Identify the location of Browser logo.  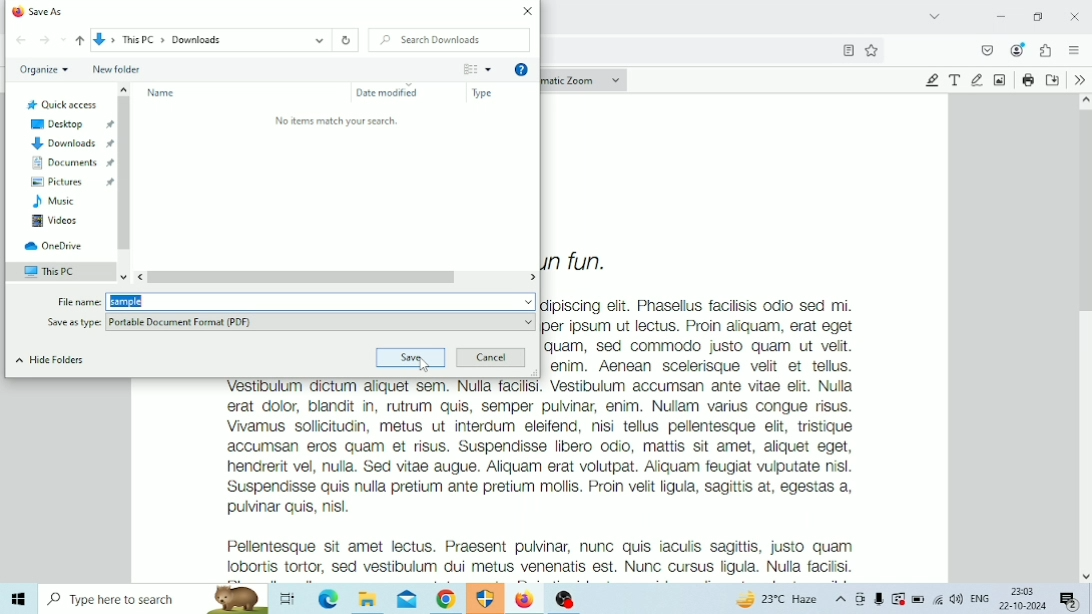
(18, 11).